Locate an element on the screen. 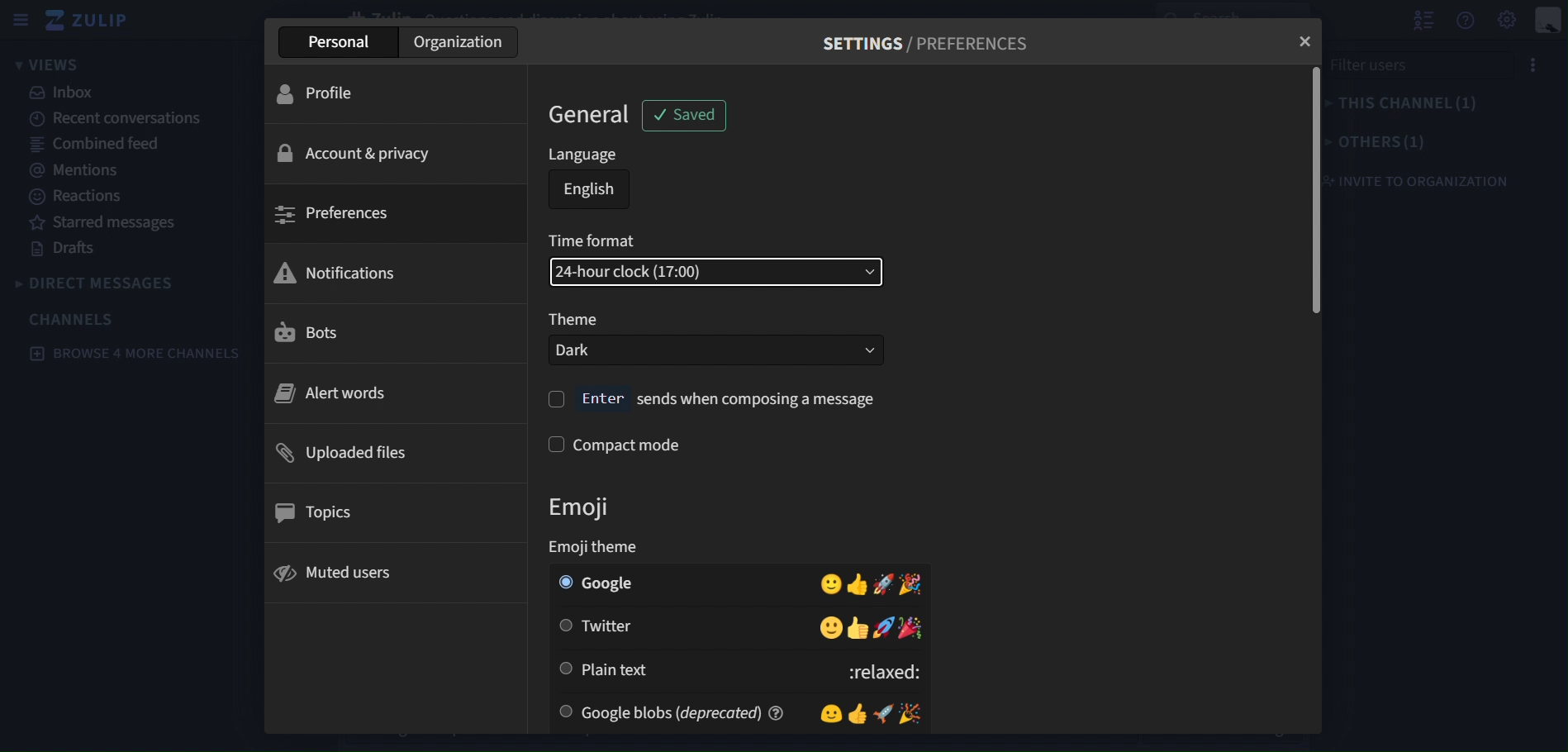  plain text is located at coordinates (604, 670).